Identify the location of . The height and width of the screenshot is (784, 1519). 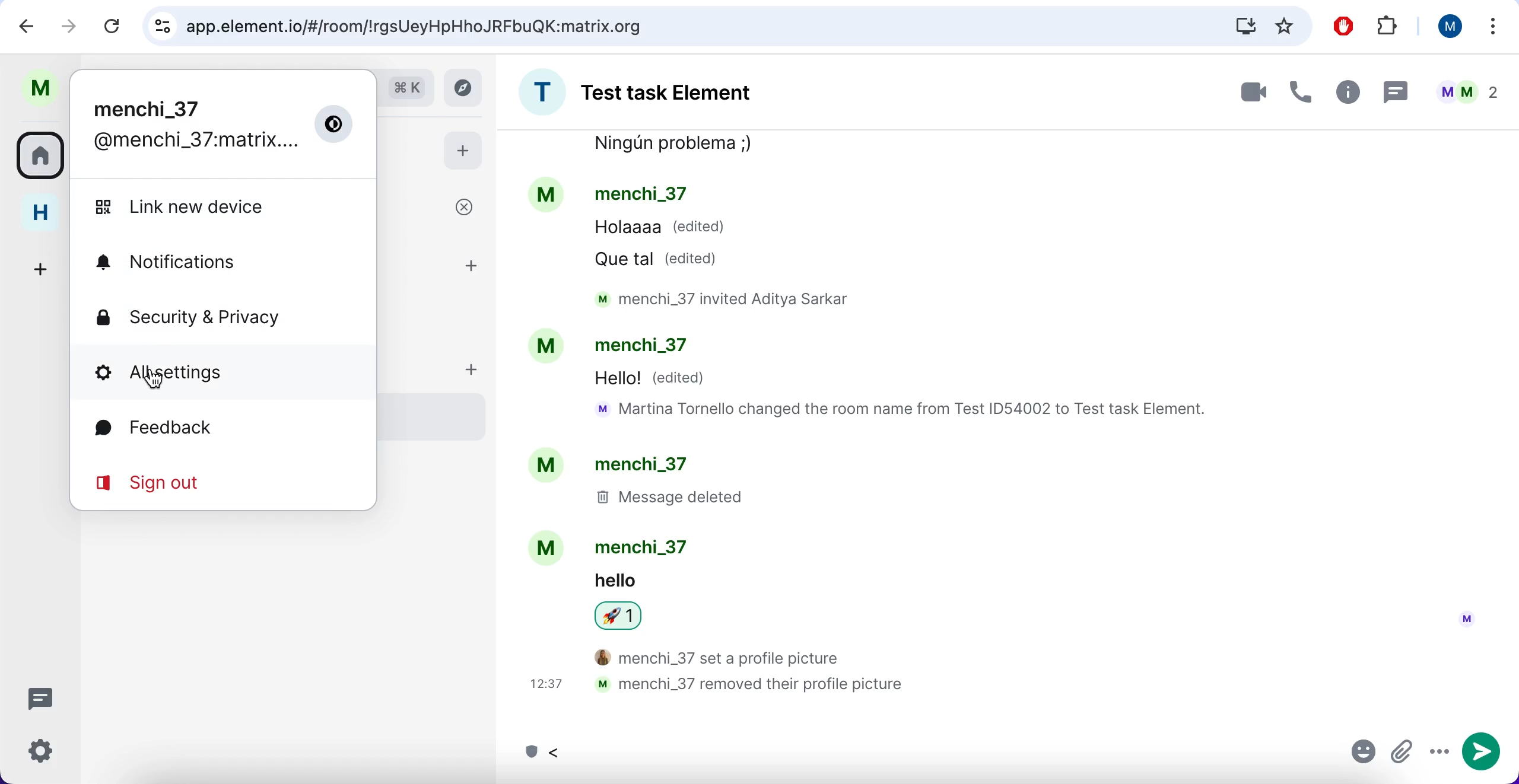
(1472, 93).